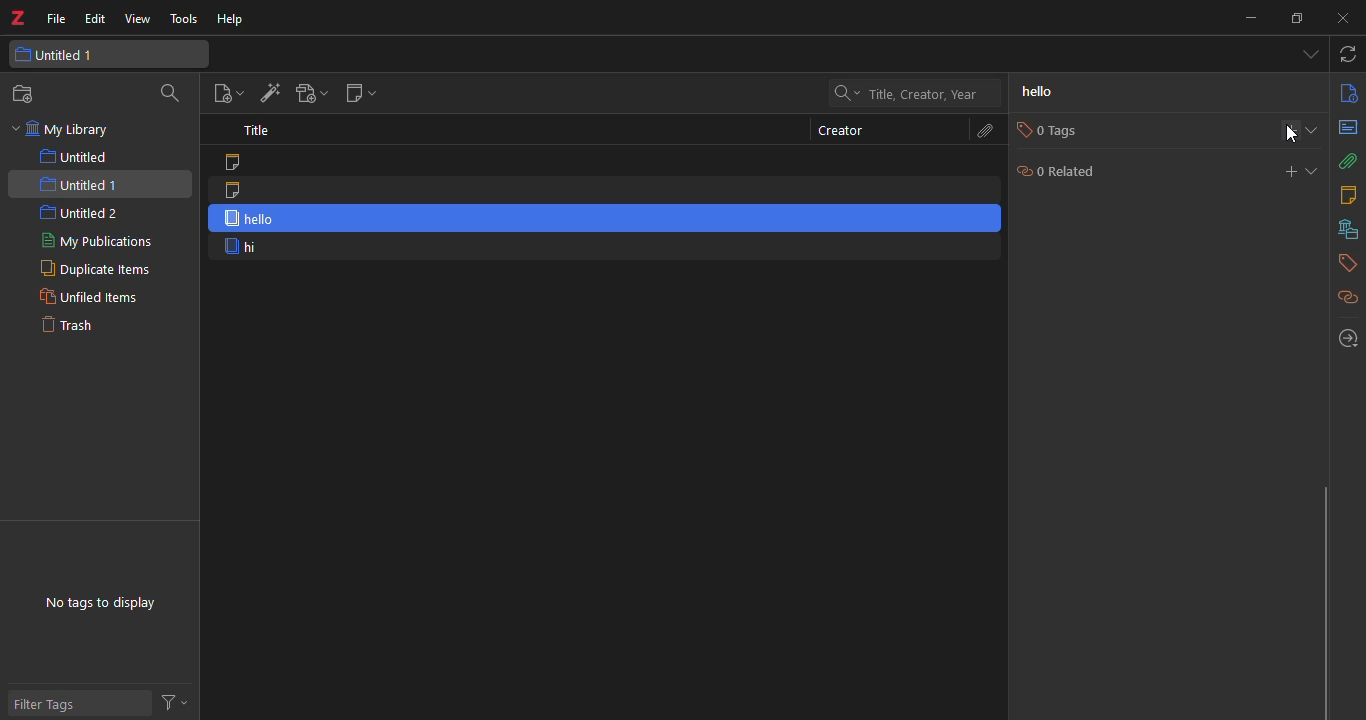  I want to click on add attach, so click(311, 92).